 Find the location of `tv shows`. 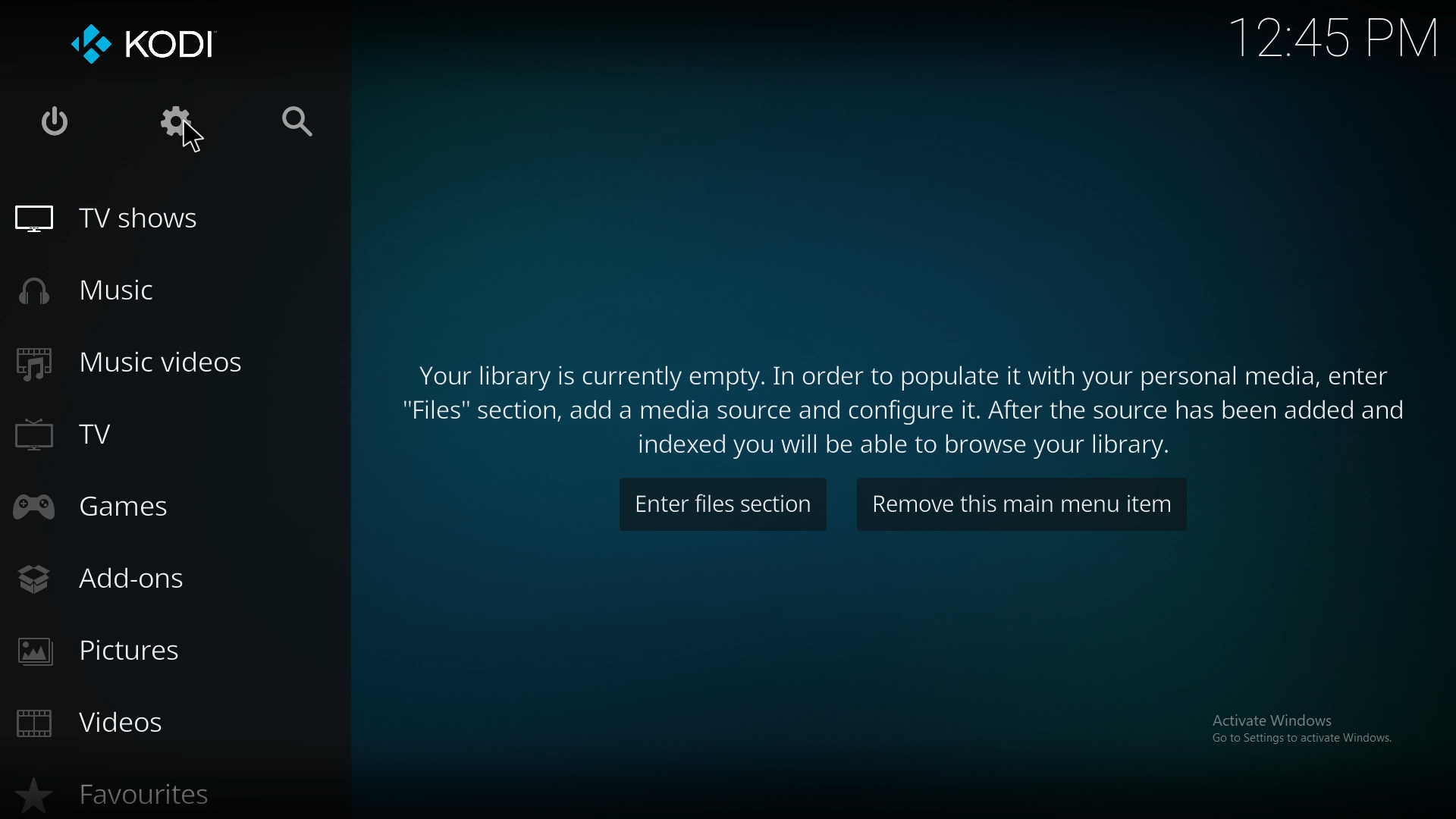

tv shows is located at coordinates (139, 220).